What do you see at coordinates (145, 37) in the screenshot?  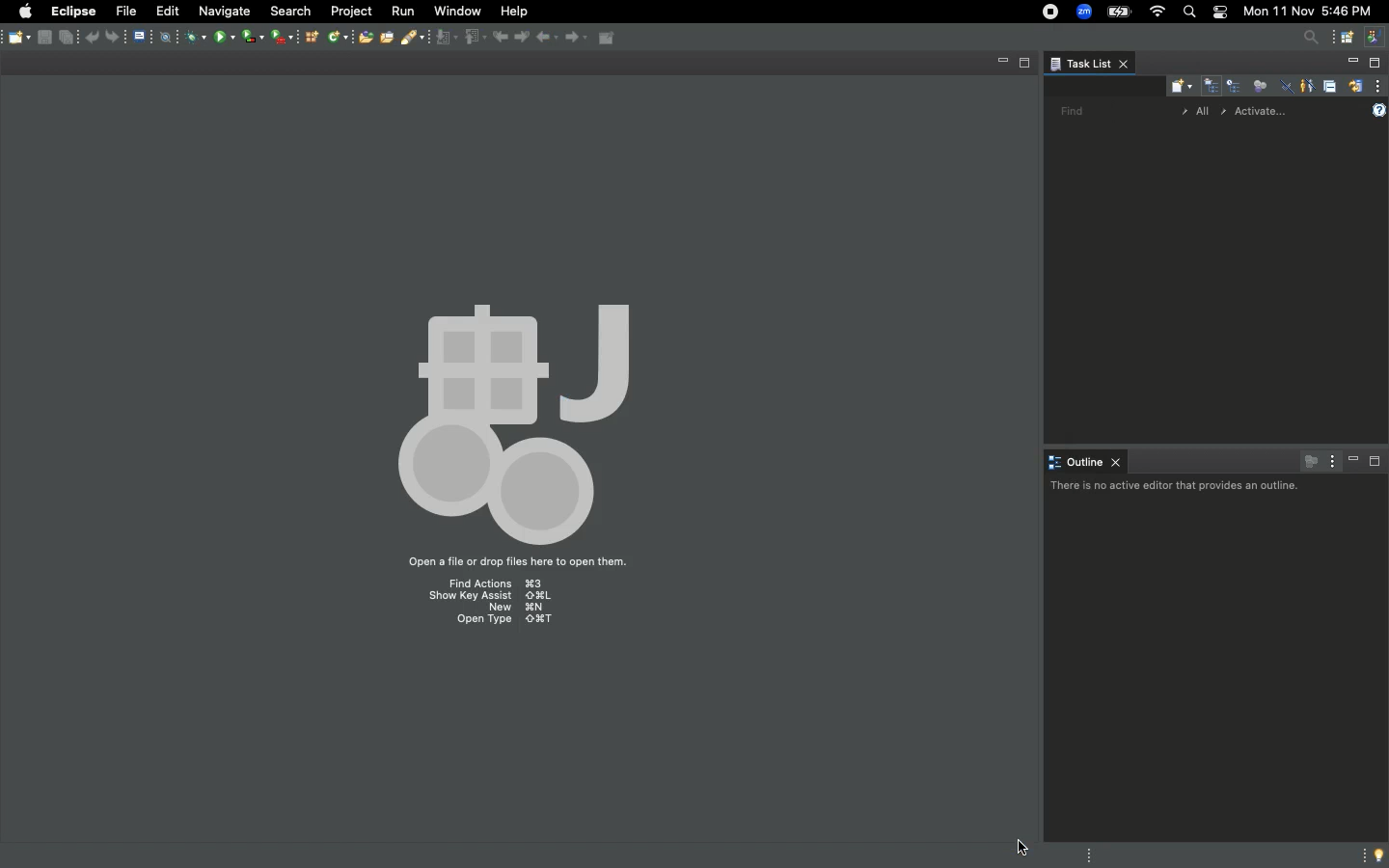 I see `File` at bounding box center [145, 37].